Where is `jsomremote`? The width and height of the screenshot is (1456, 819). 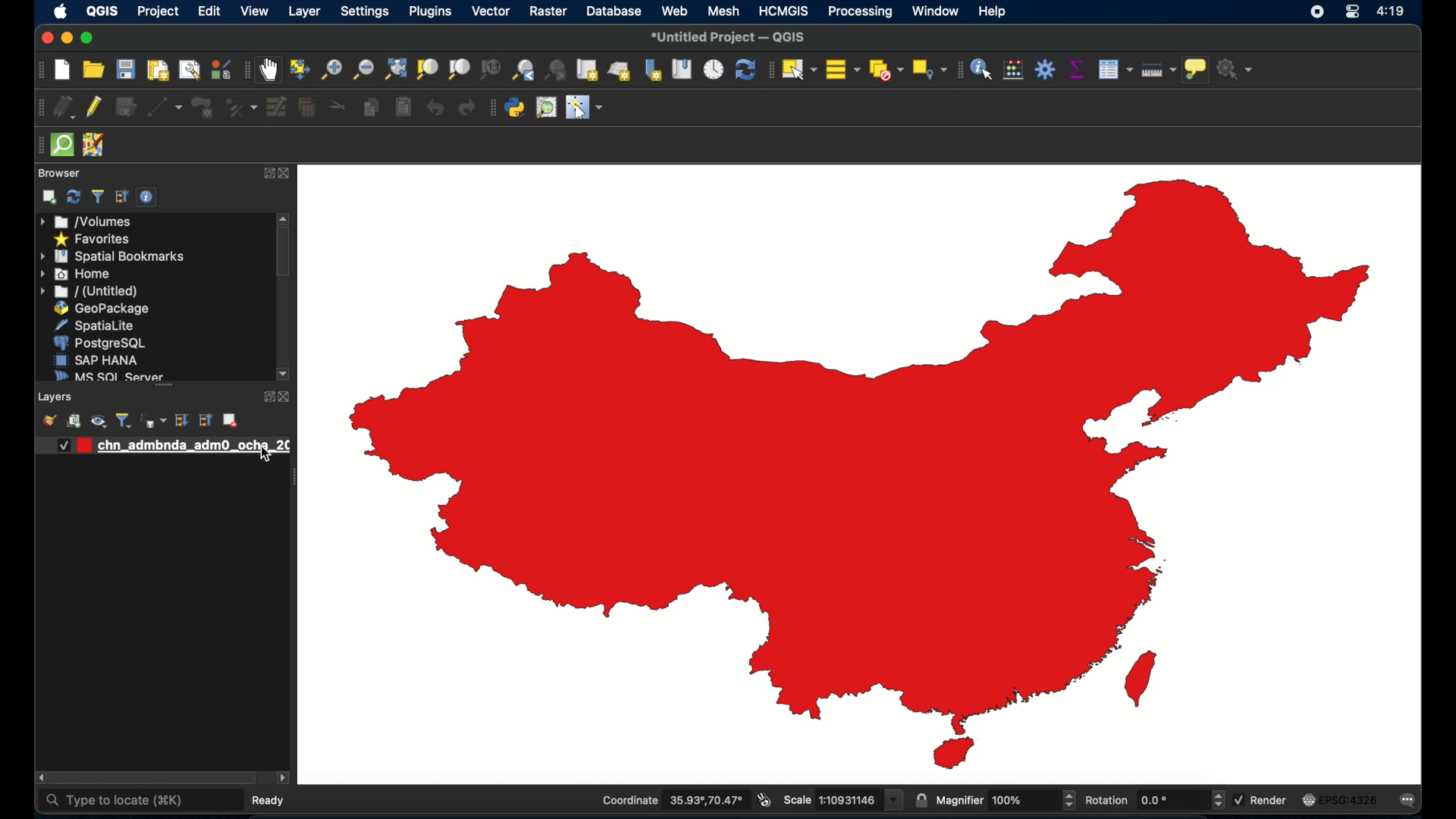
jsomremote is located at coordinates (93, 146).